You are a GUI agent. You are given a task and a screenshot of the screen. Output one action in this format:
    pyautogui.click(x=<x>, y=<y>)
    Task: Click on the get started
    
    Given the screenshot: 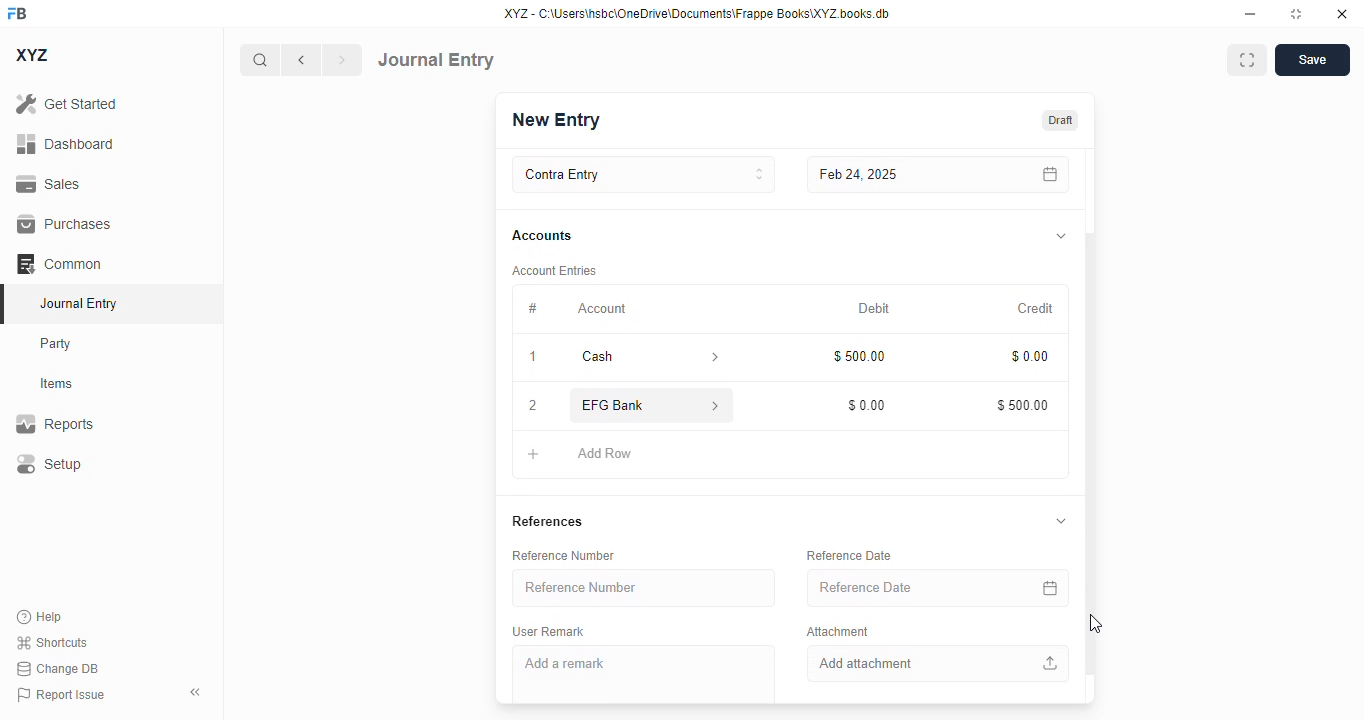 What is the action you would take?
    pyautogui.click(x=67, y=104)
    